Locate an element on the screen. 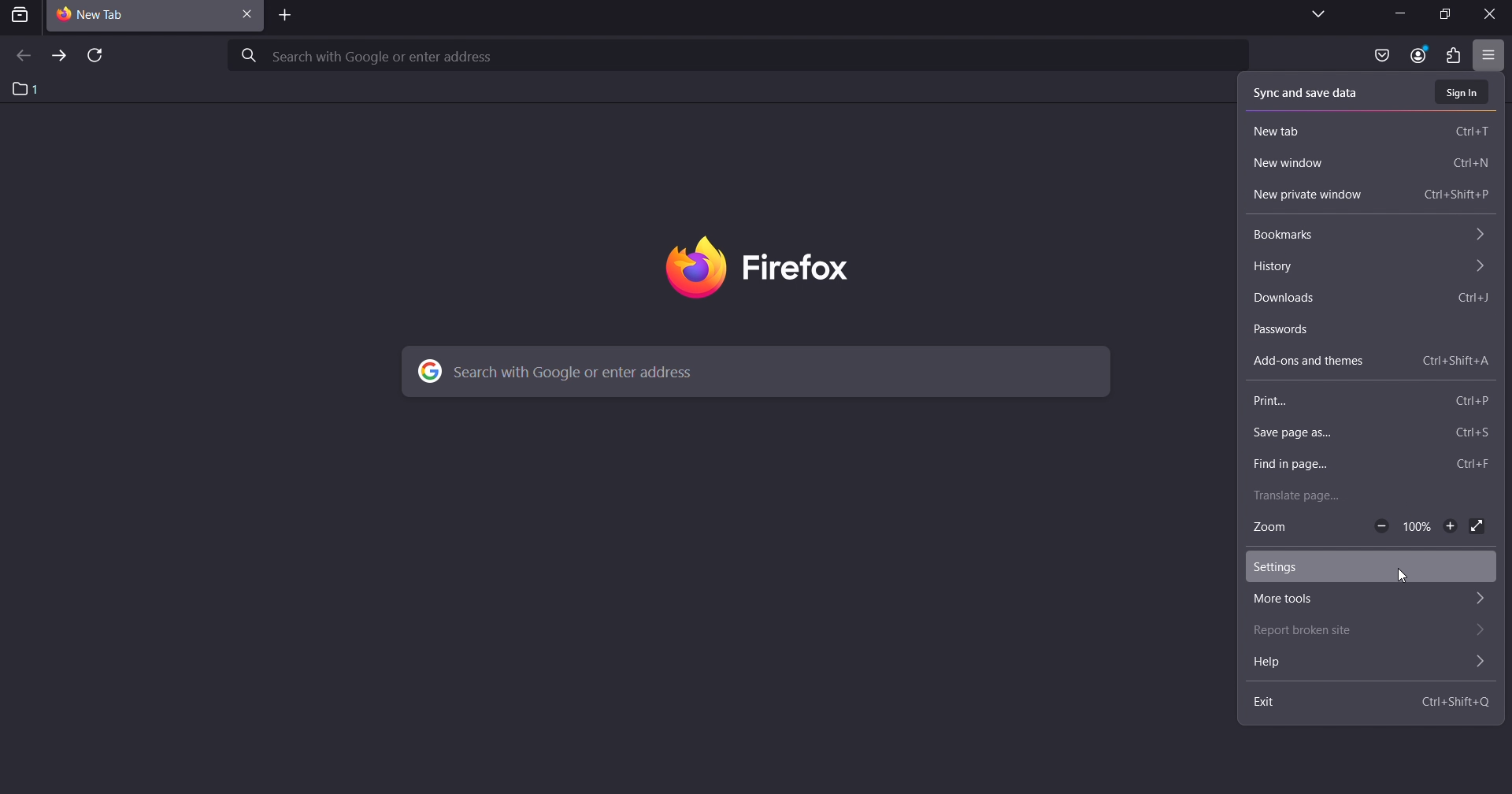 The height and width of the screenshot is (794, 1512). passwords is located at coordinates (1366, 328).